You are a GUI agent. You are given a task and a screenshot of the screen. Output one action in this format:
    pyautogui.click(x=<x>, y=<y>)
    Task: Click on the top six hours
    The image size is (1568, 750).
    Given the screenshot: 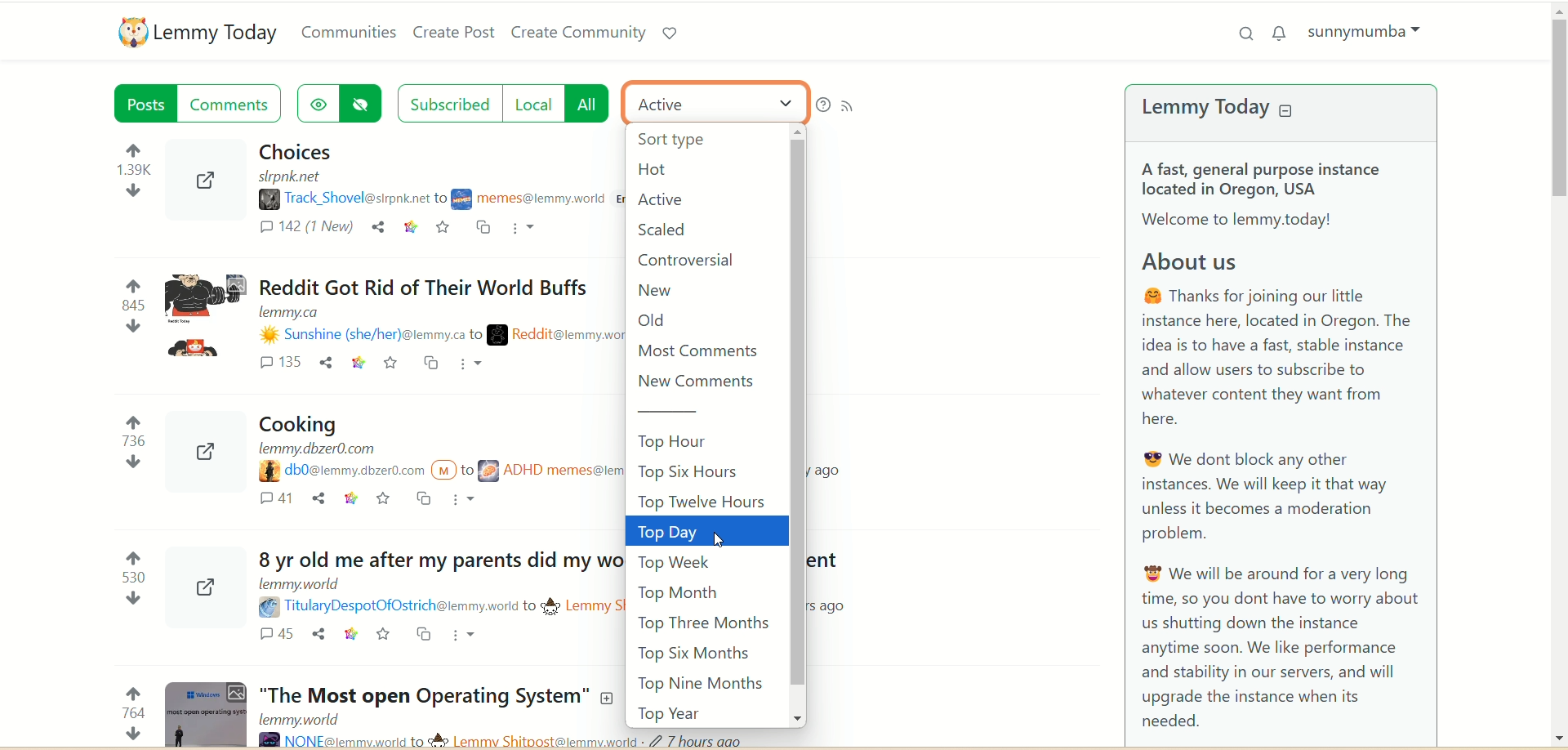 What is the action you would take?
    pyautogui.click(x=704, y=471)
    